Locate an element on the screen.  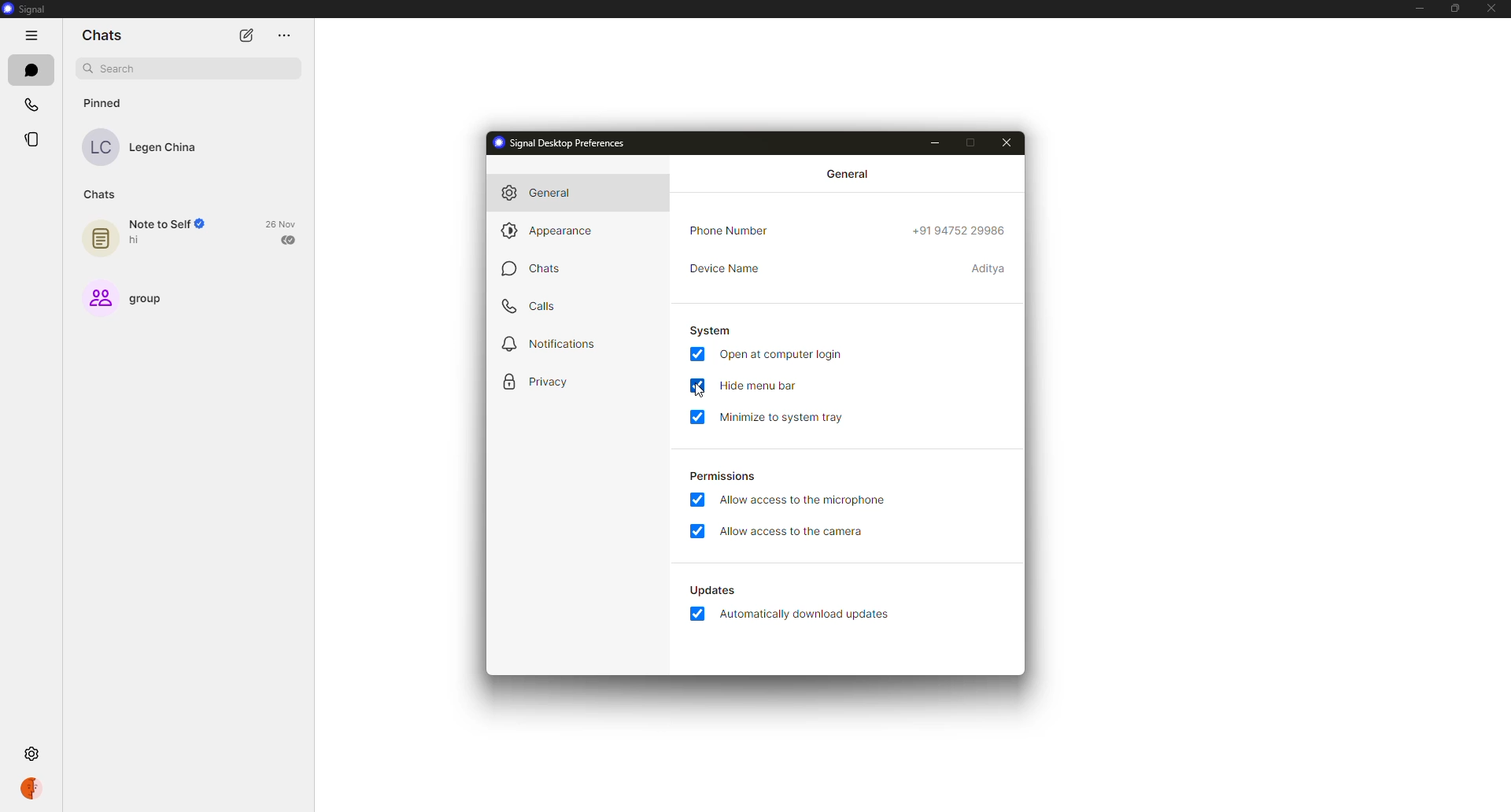
chats is located at coordinates (102, 194).